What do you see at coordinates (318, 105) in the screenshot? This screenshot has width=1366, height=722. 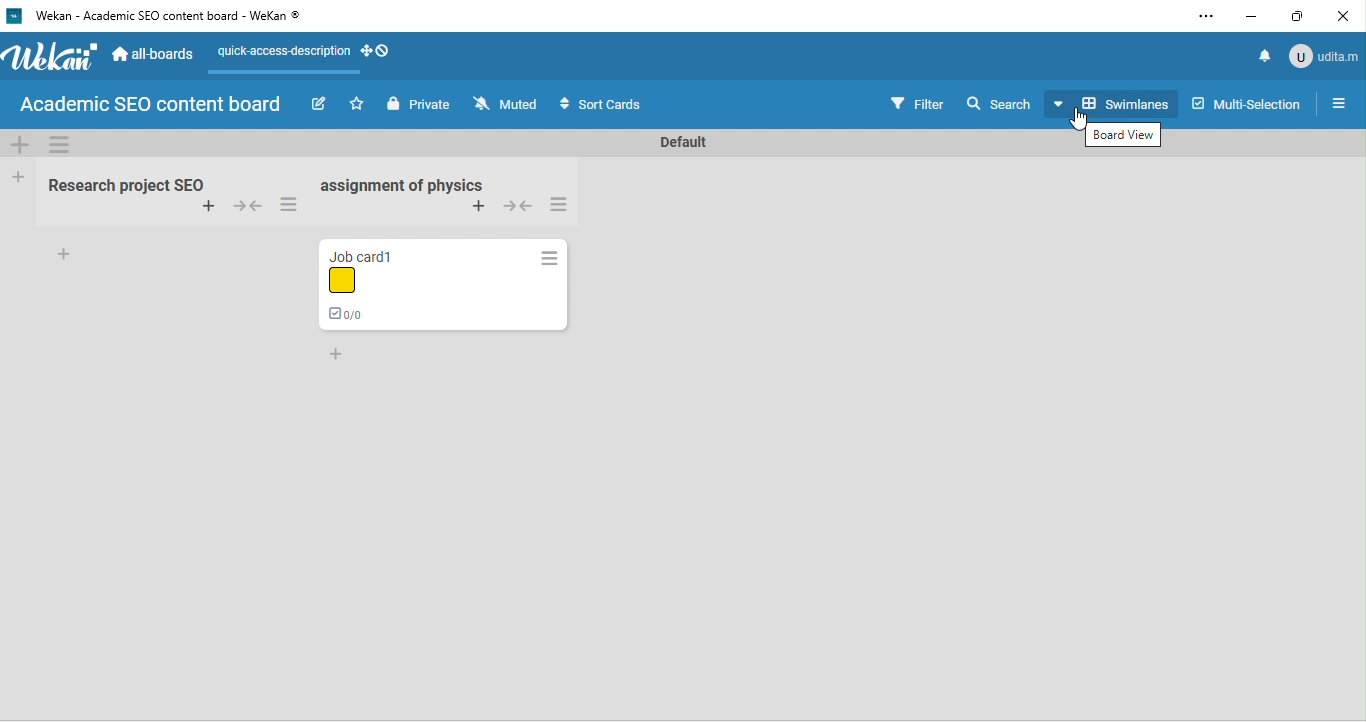 I see `edit` at bounding box center [318, 105].